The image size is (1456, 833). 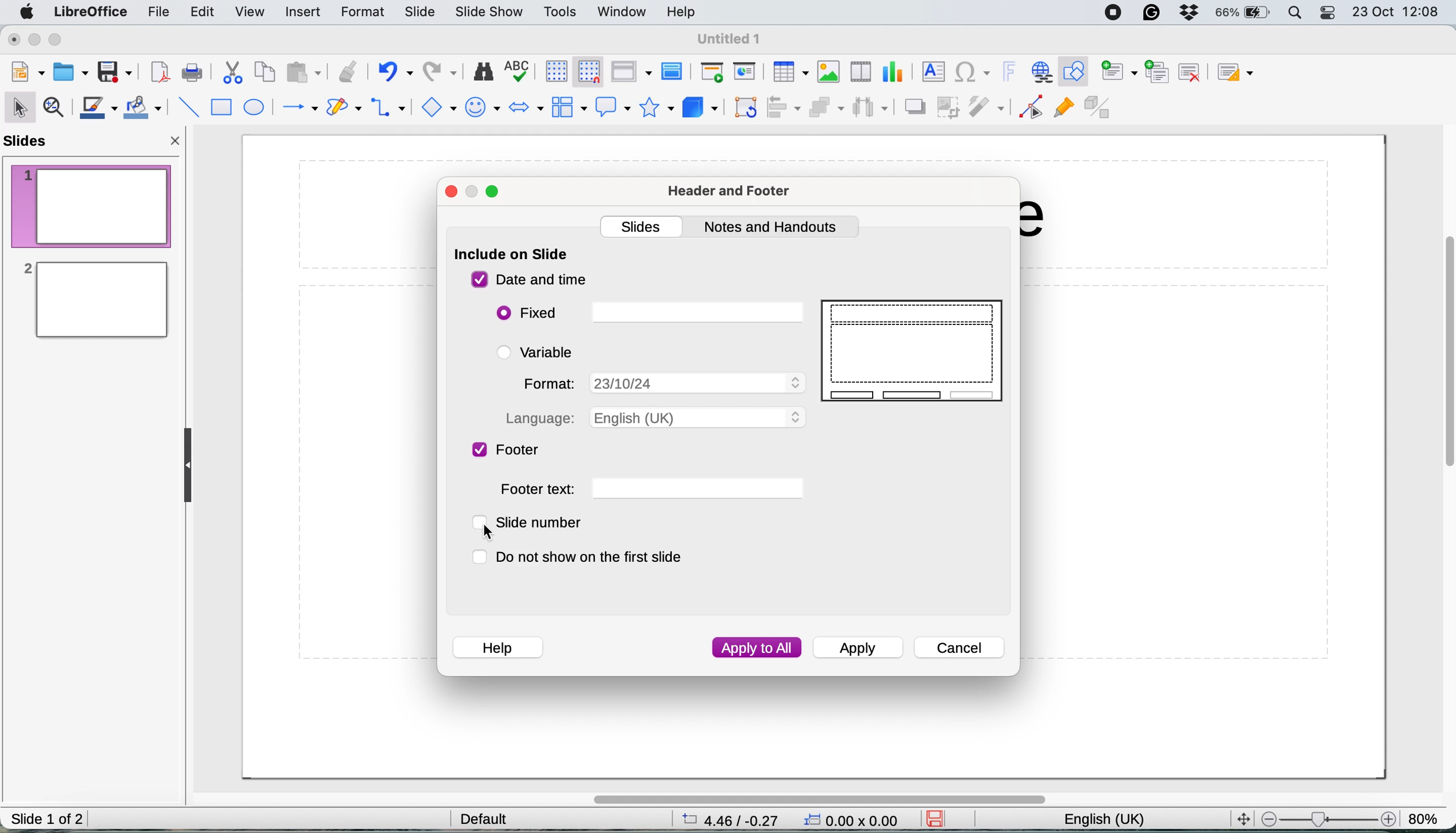 What do you see at coordinates (490, 531) in the screenshot?
I see `cursor` at bounding box center [490, 531].